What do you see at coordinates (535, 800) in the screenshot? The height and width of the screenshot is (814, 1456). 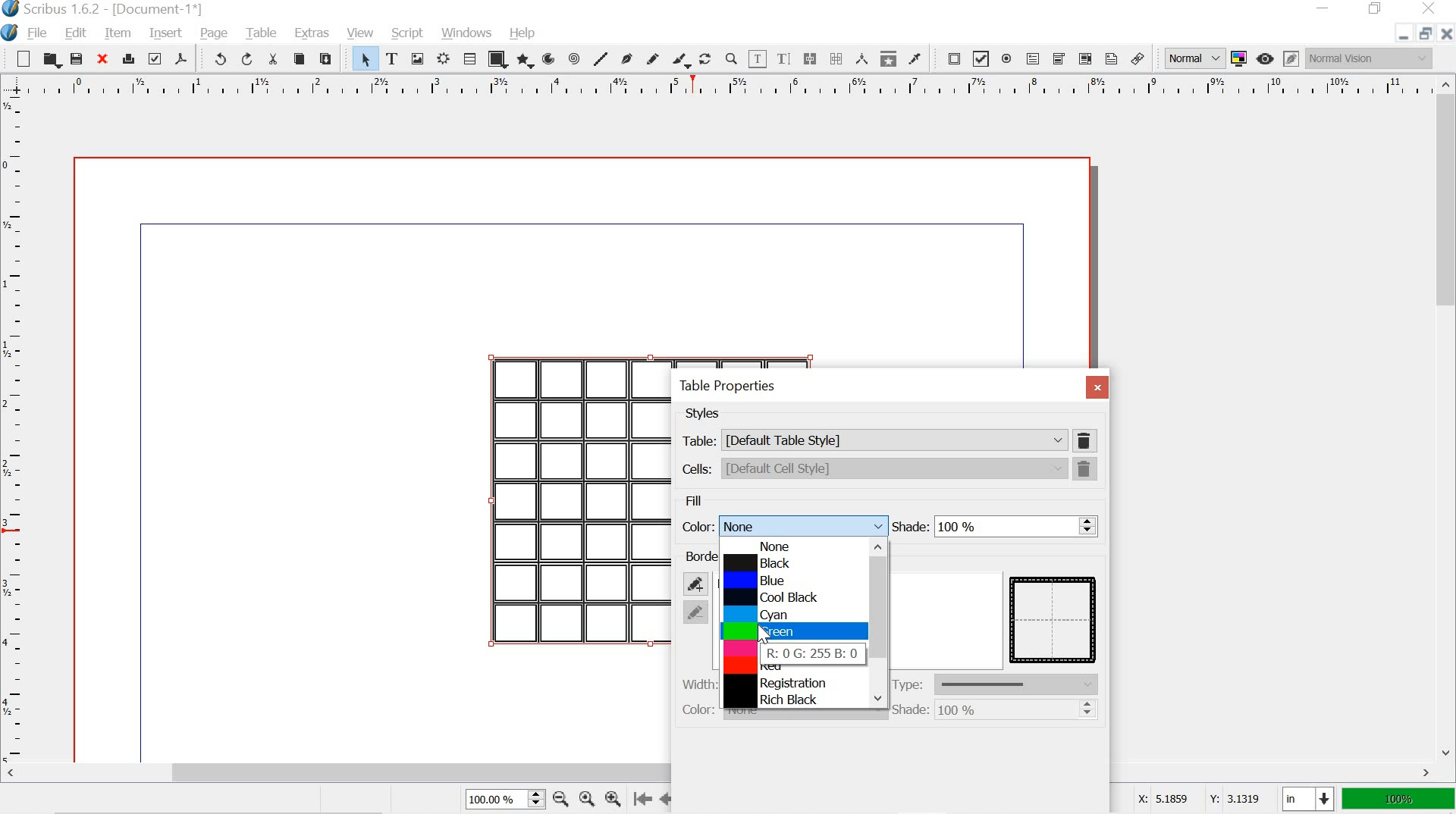 I see `zoom in, zoom out` at bounding box center [535, 800].